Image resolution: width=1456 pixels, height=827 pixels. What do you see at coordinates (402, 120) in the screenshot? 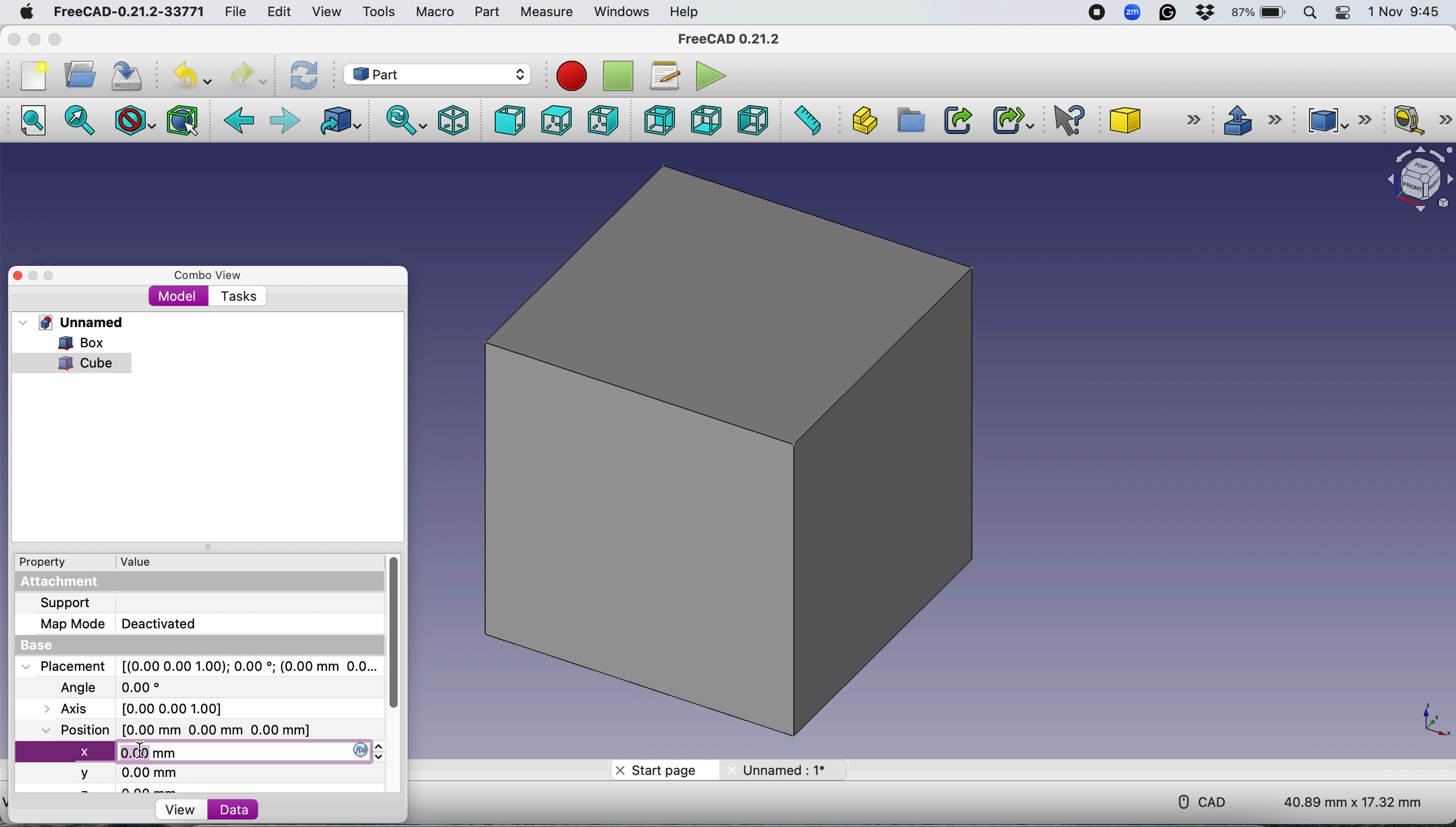
I see `Sync view` at bounding box center [402, 120].